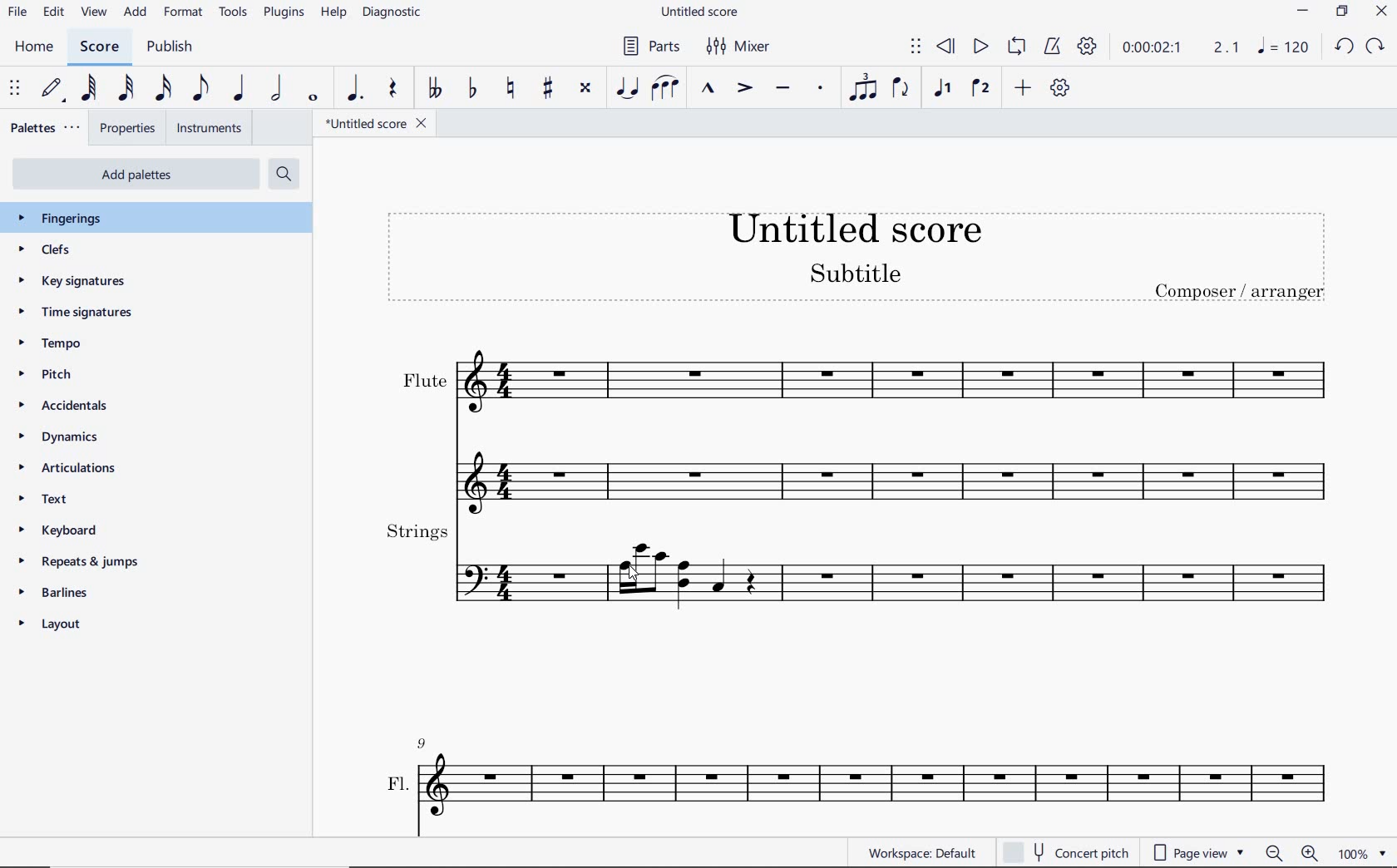  I want to click on search palettes, so click(285, 176).